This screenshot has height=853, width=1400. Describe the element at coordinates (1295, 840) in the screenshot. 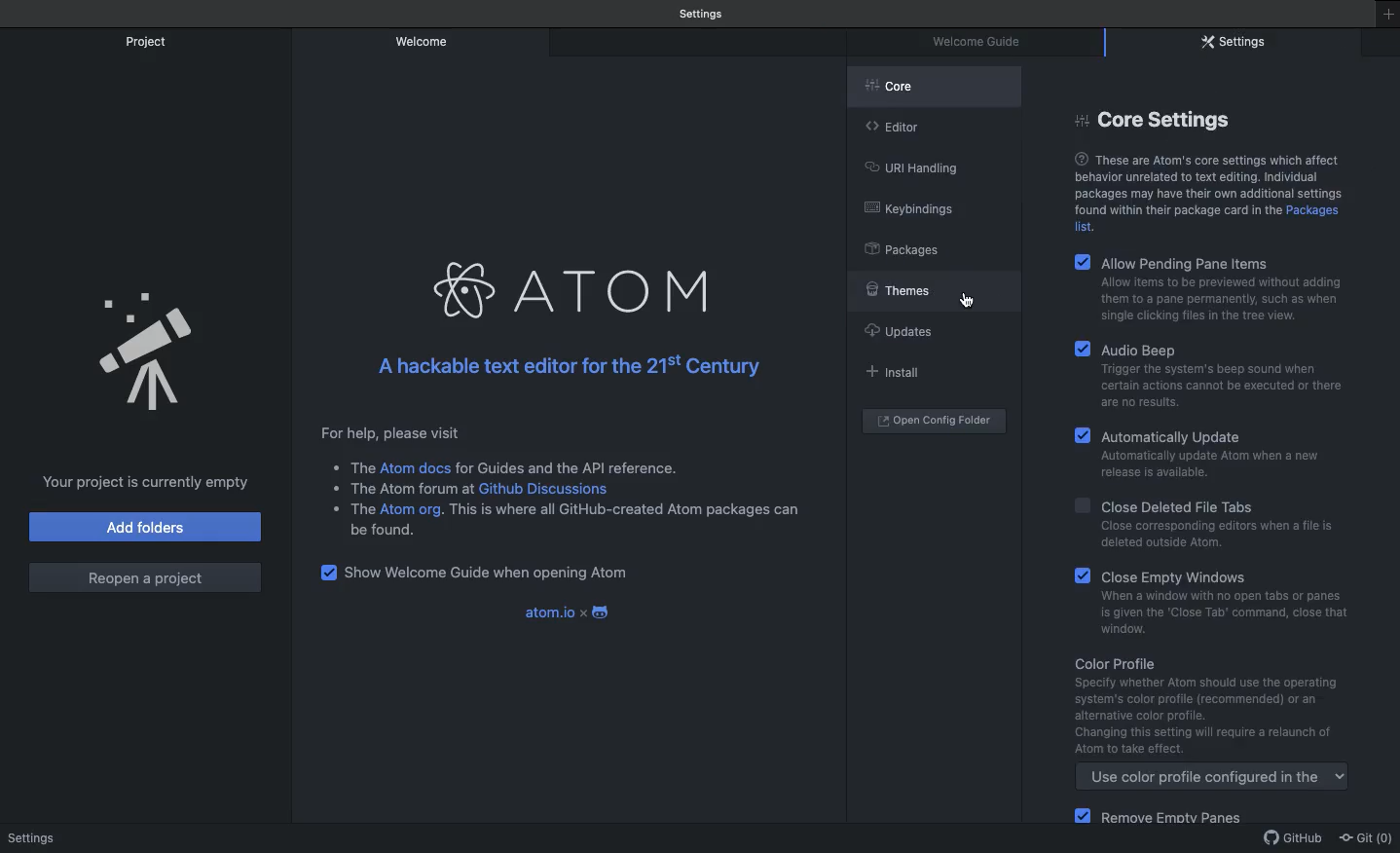

I see `GitHub` at that location.